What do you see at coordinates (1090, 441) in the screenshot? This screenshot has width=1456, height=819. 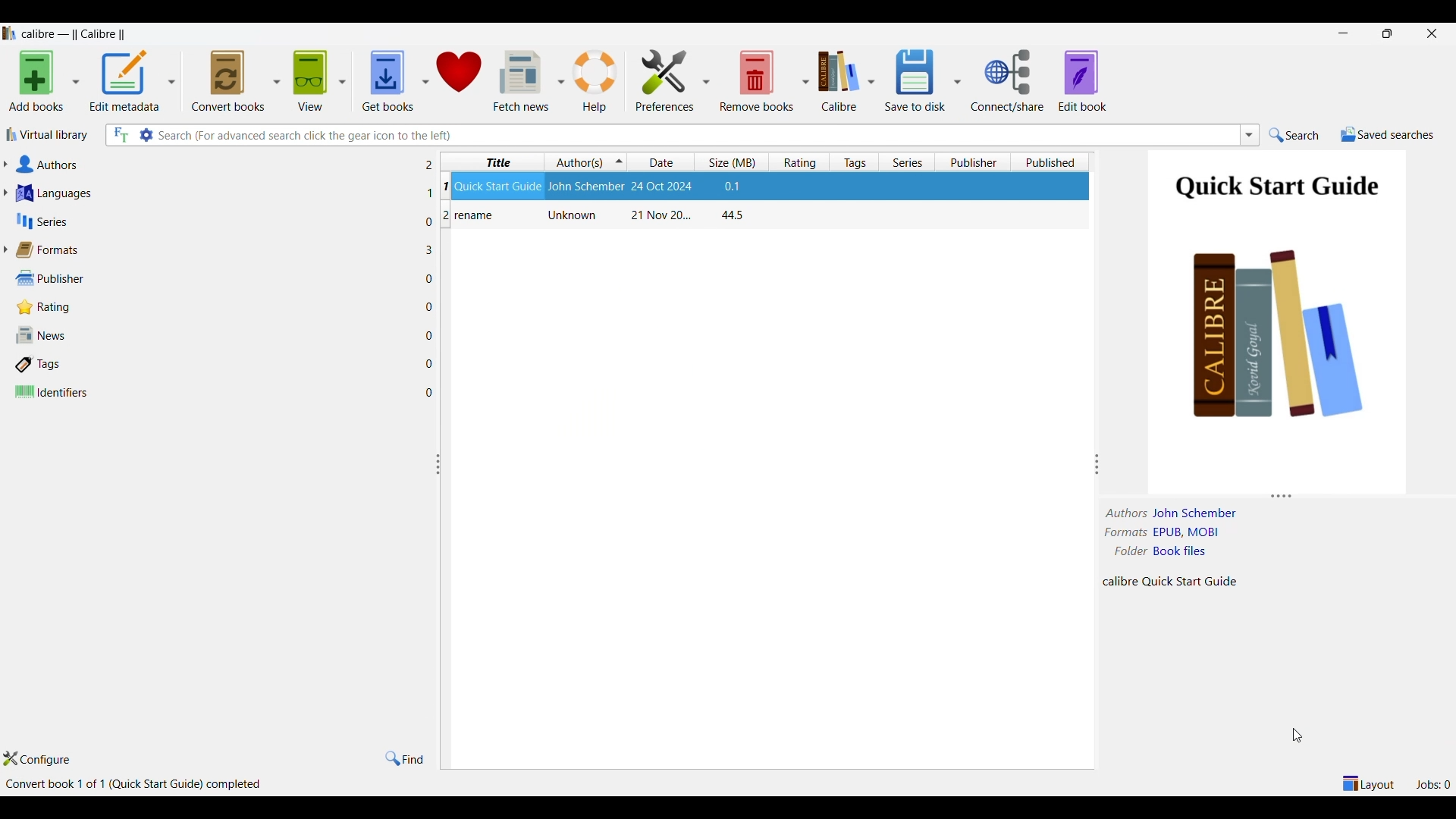 I see `Change width of panels attached` at bounding box center [1090, 441].